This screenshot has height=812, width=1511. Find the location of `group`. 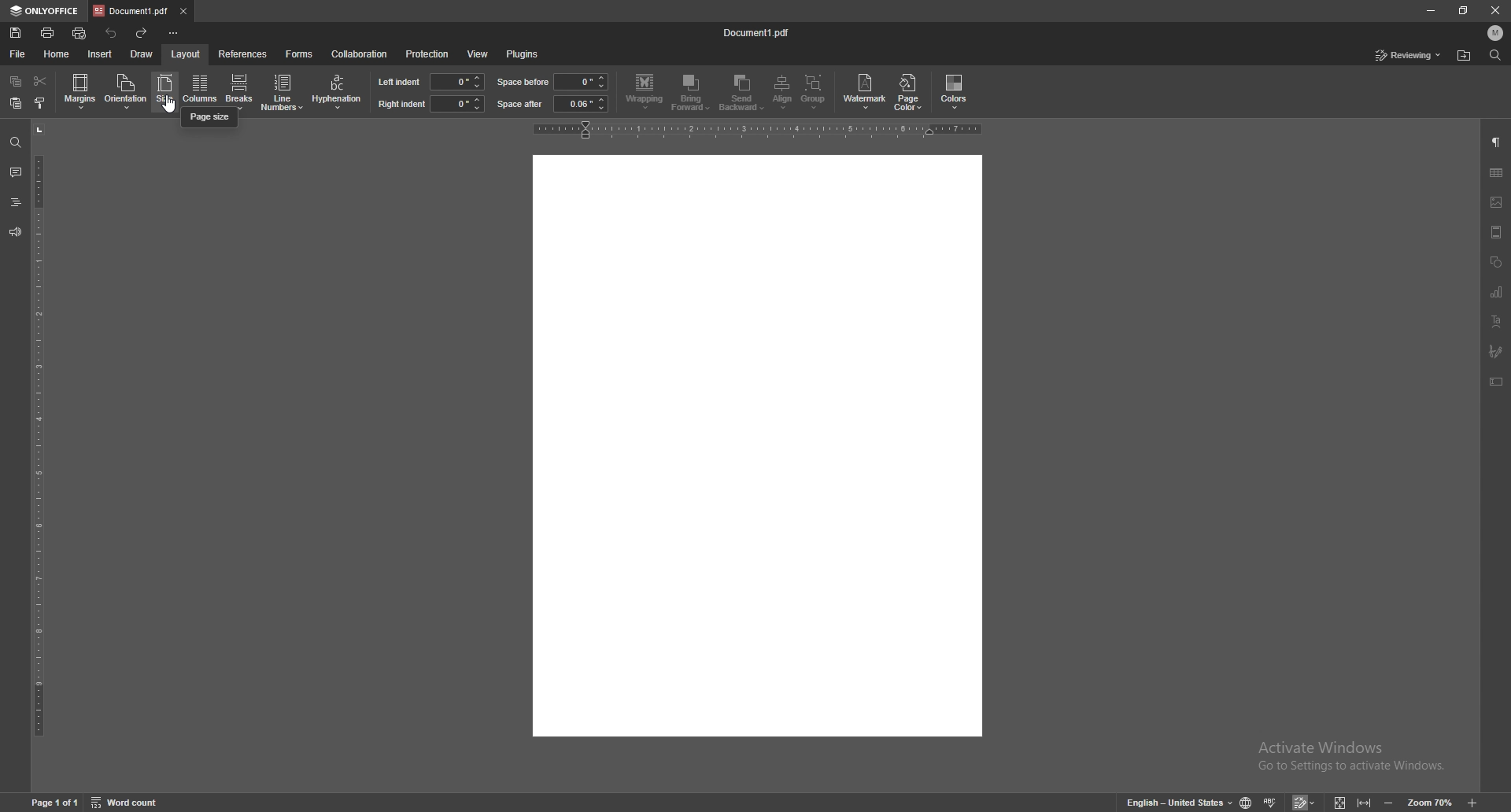

group is located at coordinates (815, 92).